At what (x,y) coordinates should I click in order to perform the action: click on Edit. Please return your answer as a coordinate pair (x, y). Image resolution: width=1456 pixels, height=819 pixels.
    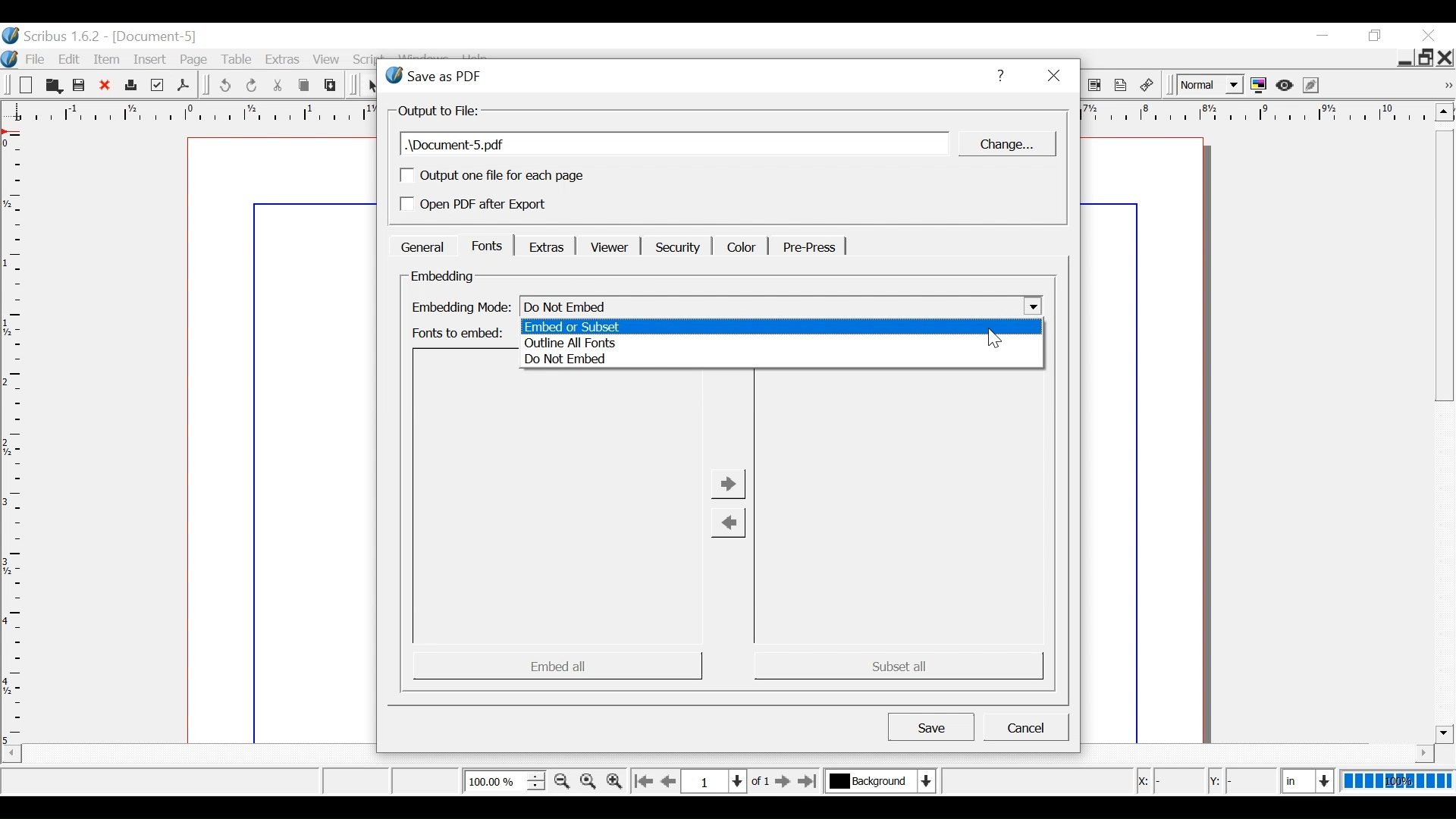
    Looking at the image, I should click on (71, 59).